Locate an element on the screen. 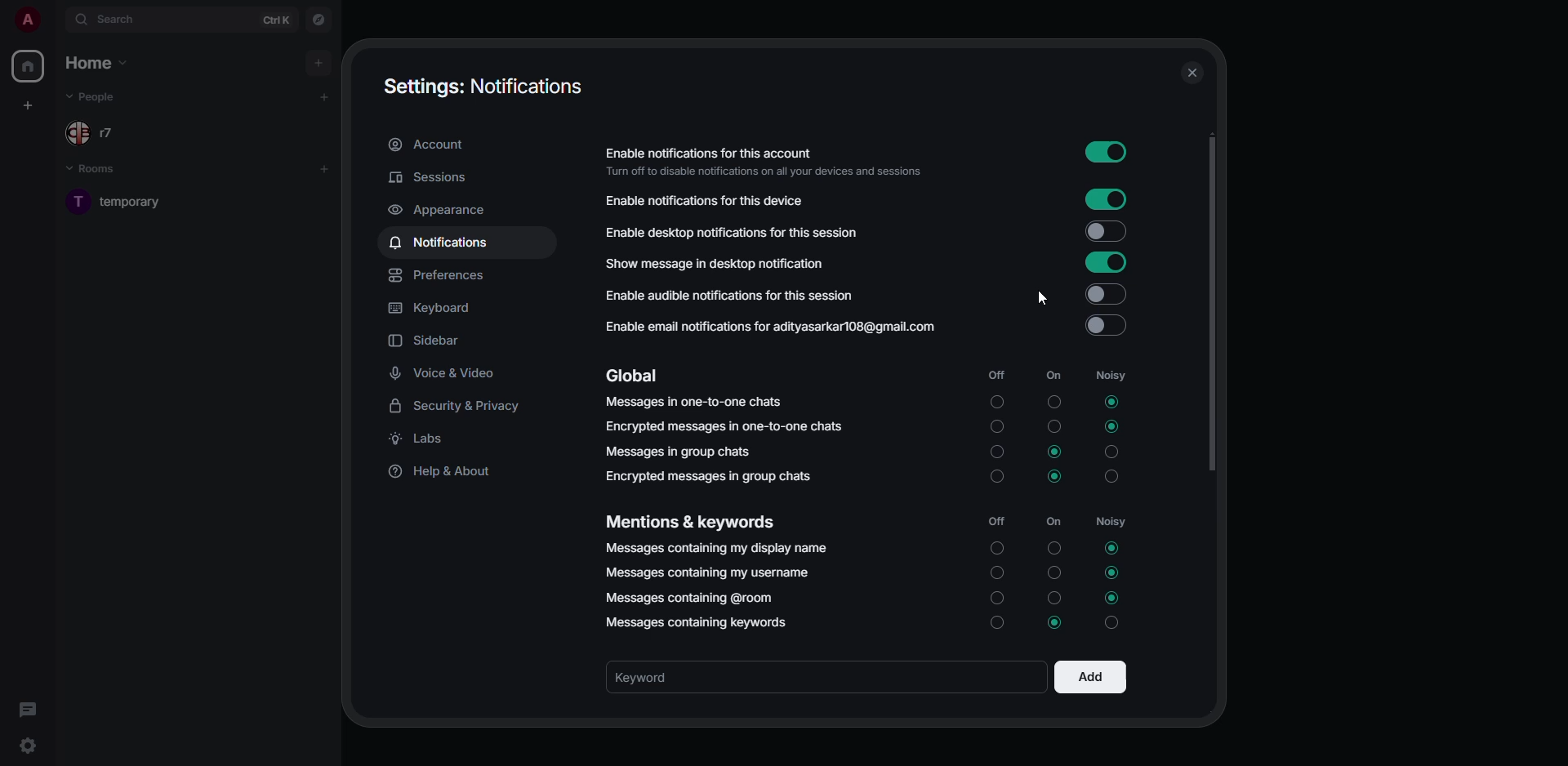 This screenshot has height=766, width=1568. On Unselected is located at coordinates (1054, 548).